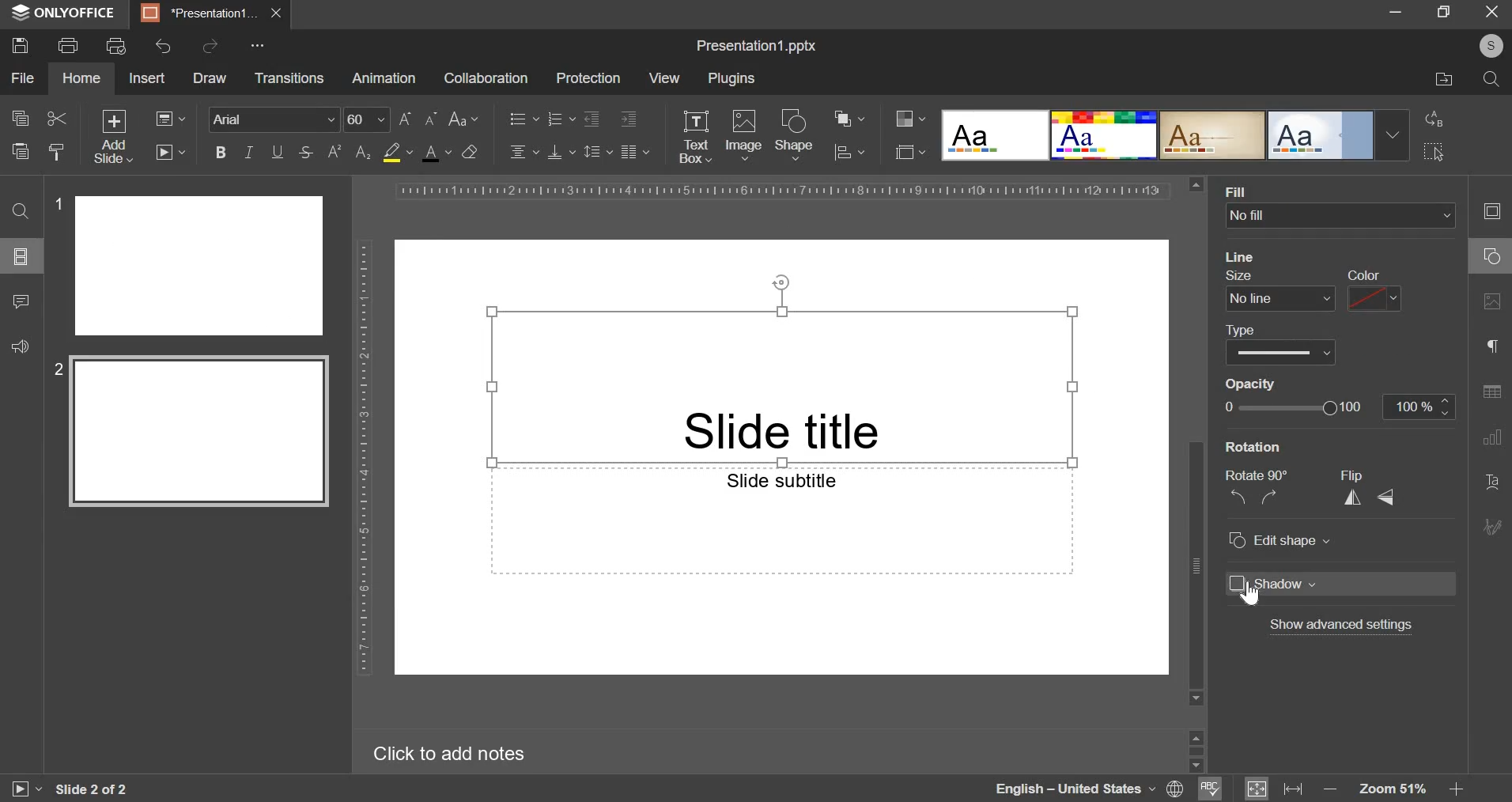 The width and height of the screenshot is (1512, 802). Describe the element at coordinates (1279, 289) in the screenshot. I see `line size` at that location.